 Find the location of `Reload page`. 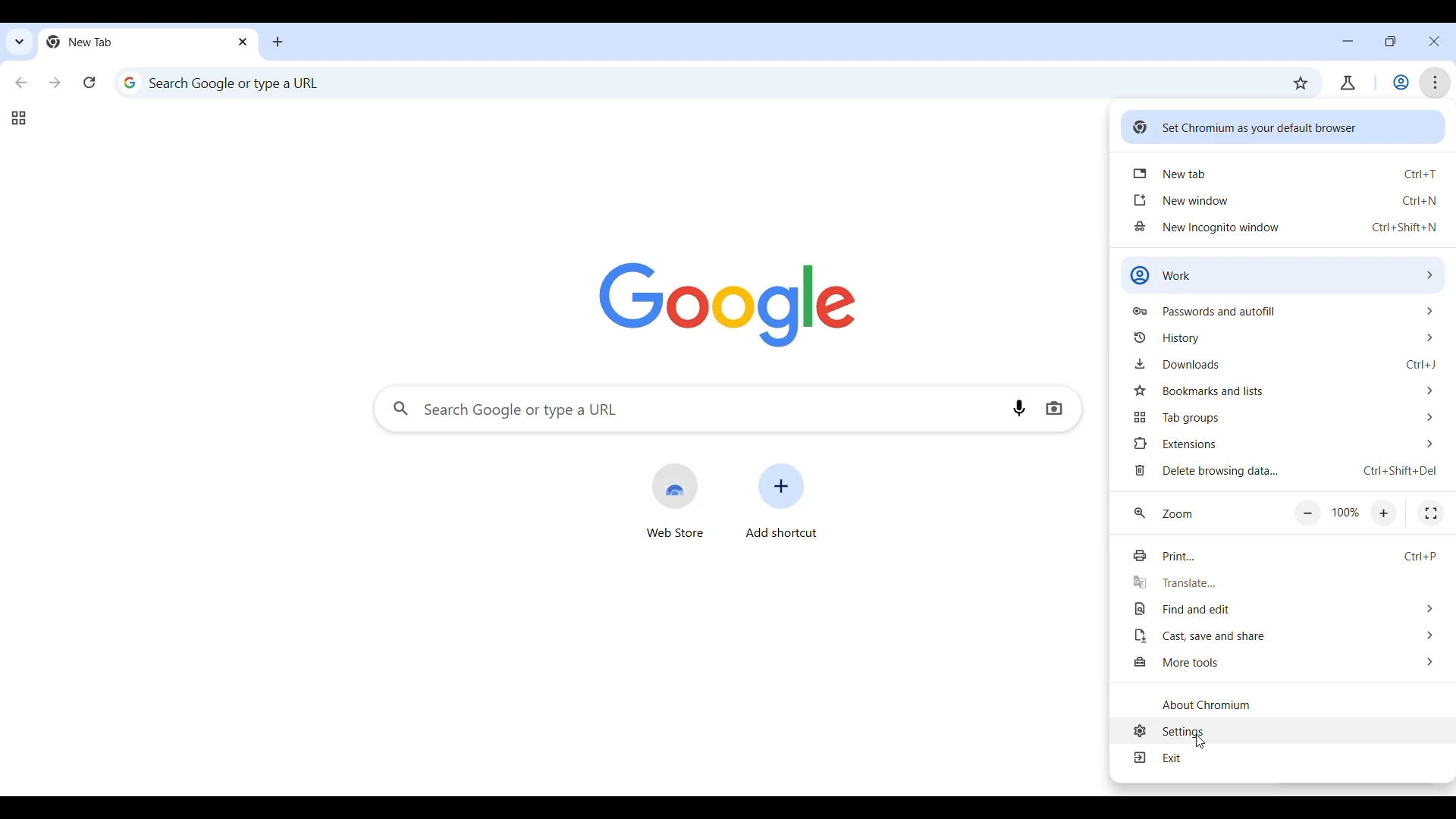

Reload page is located at coordinates (89, 83).